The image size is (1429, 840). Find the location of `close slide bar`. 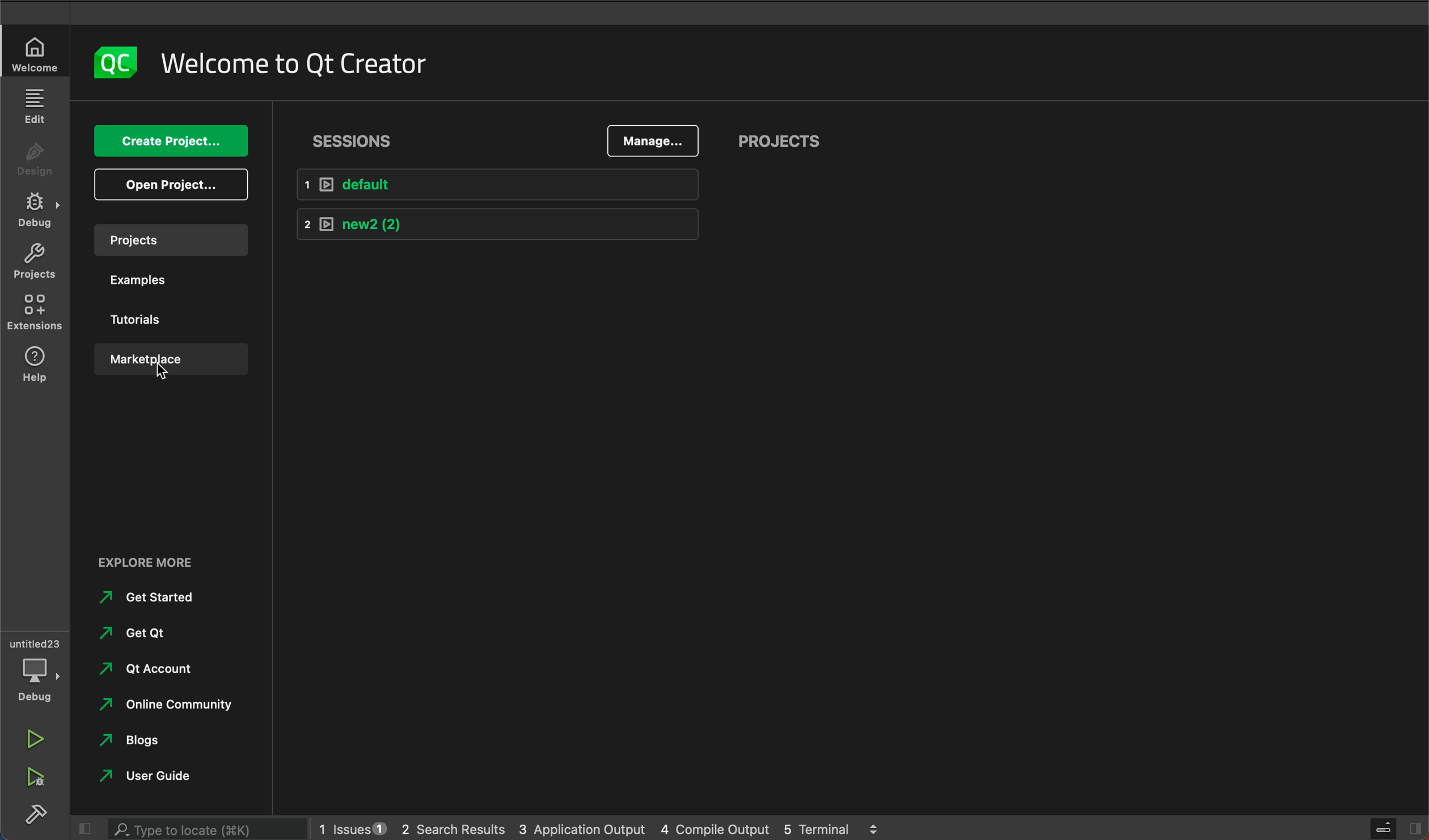

close slide bar is located at coordinates (82, 828).